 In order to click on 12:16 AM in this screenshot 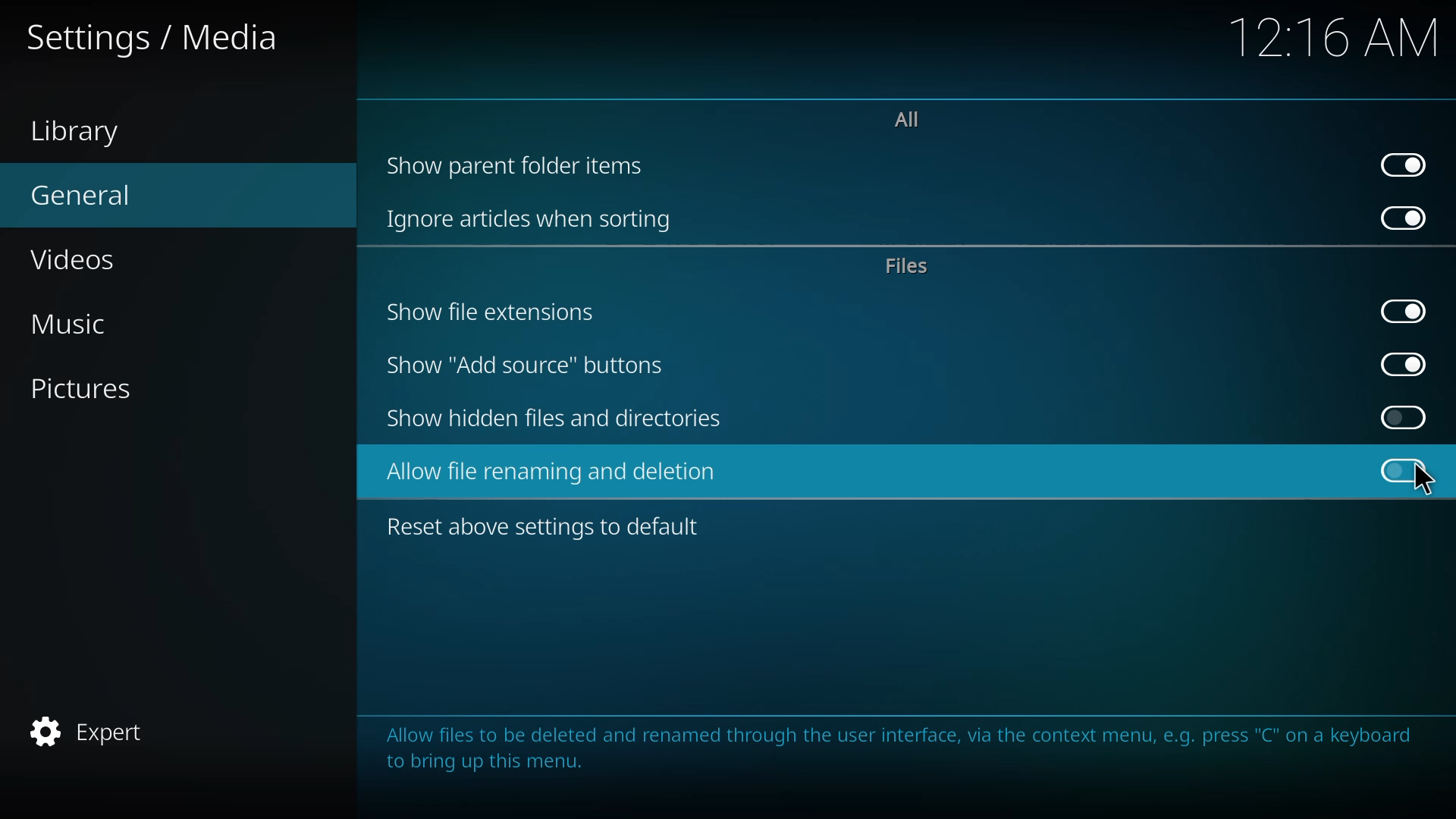, I will do `click(1327, 45)`.